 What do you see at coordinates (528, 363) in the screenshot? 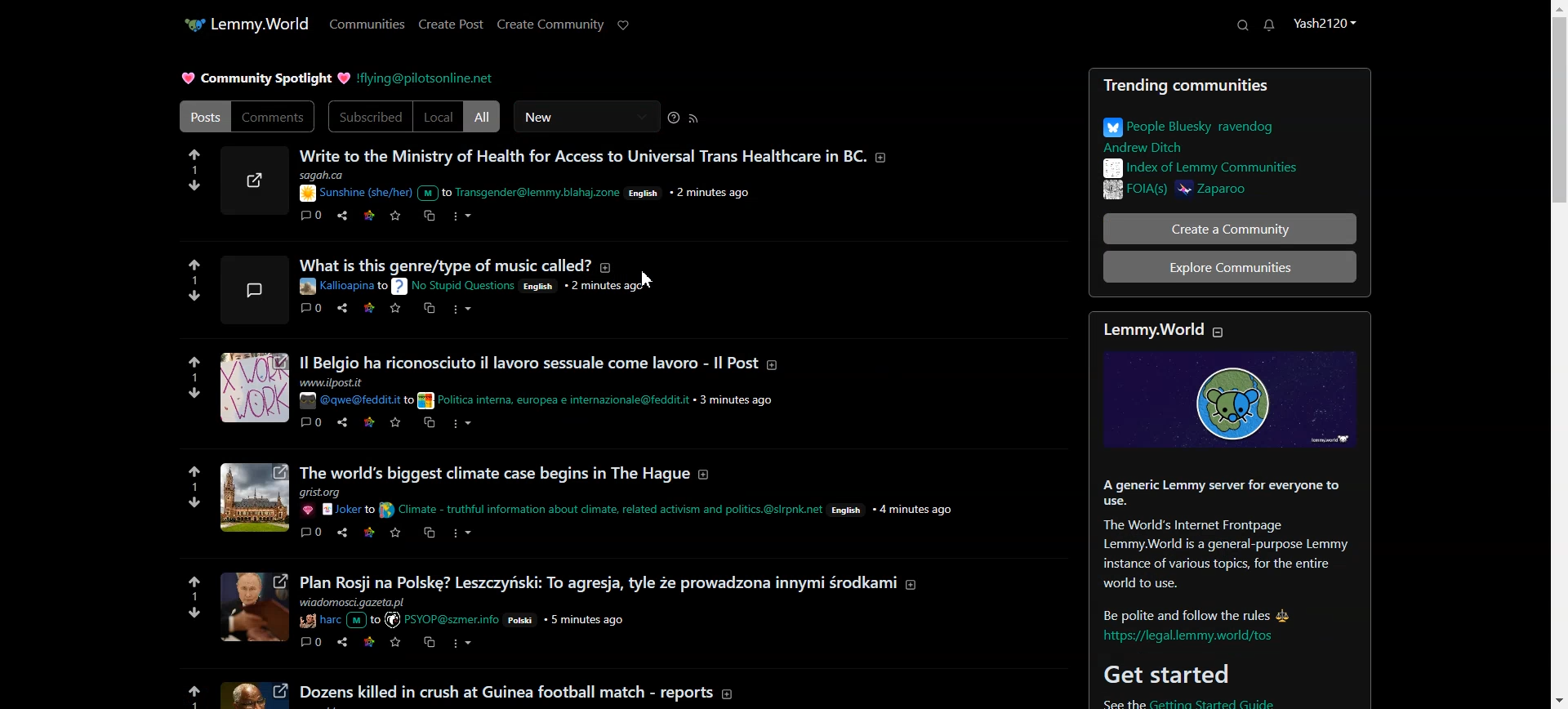
I see `text` at bounding box center [528, 363].